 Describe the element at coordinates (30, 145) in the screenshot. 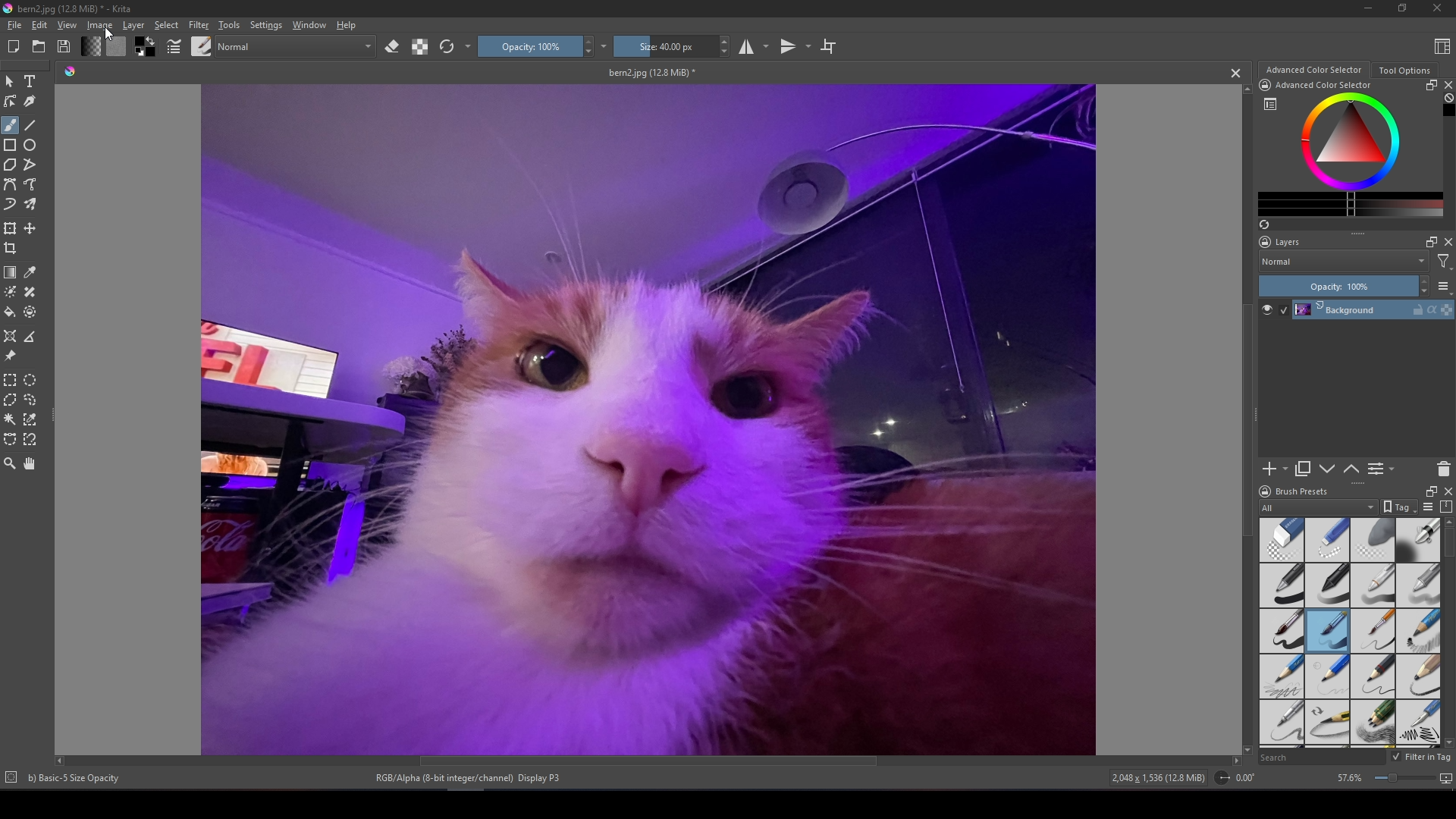

I see `Elipse tool` at that location.